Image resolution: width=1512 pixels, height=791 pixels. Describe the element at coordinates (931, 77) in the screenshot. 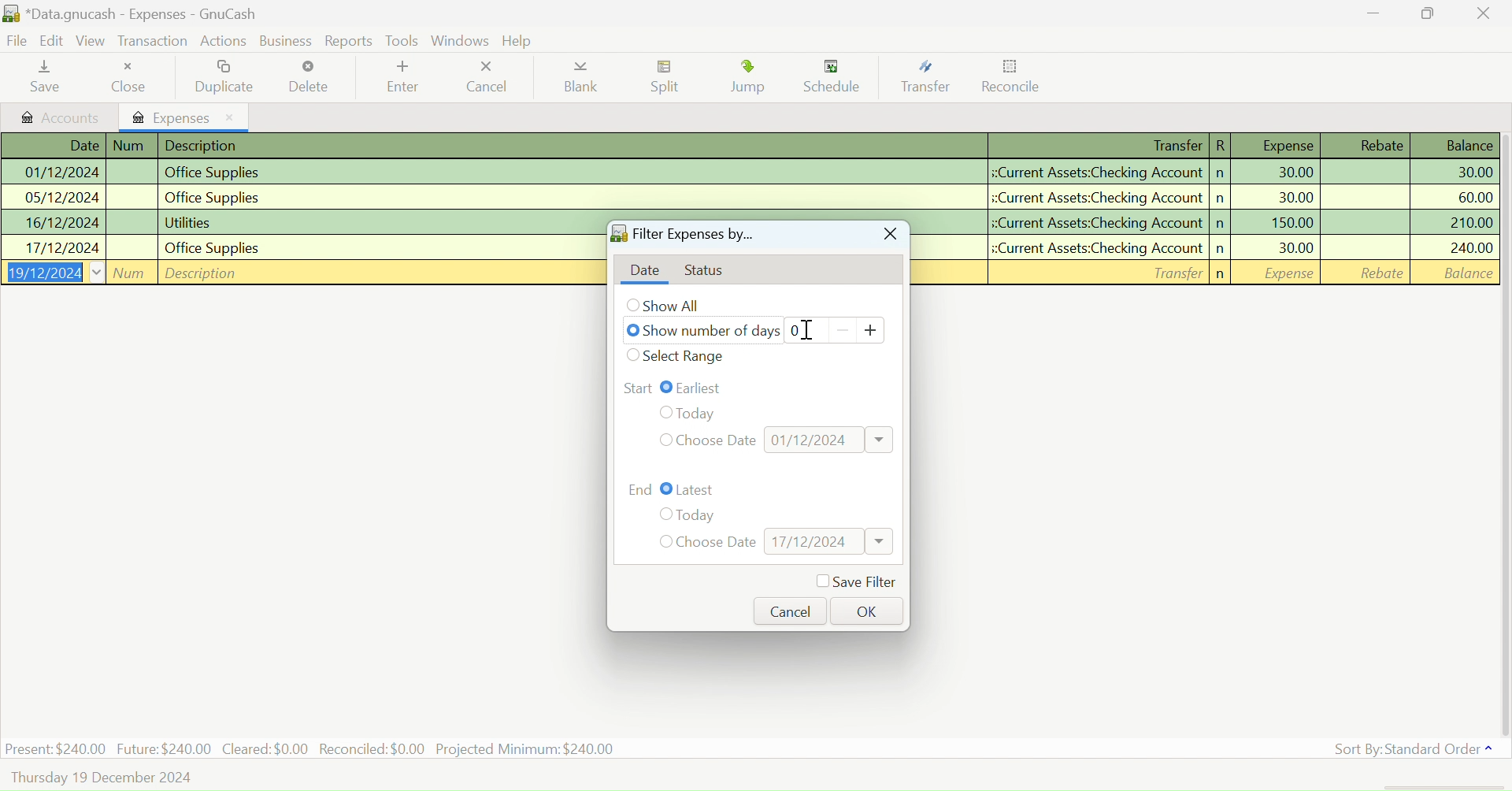

I see `Transfer` at that location.